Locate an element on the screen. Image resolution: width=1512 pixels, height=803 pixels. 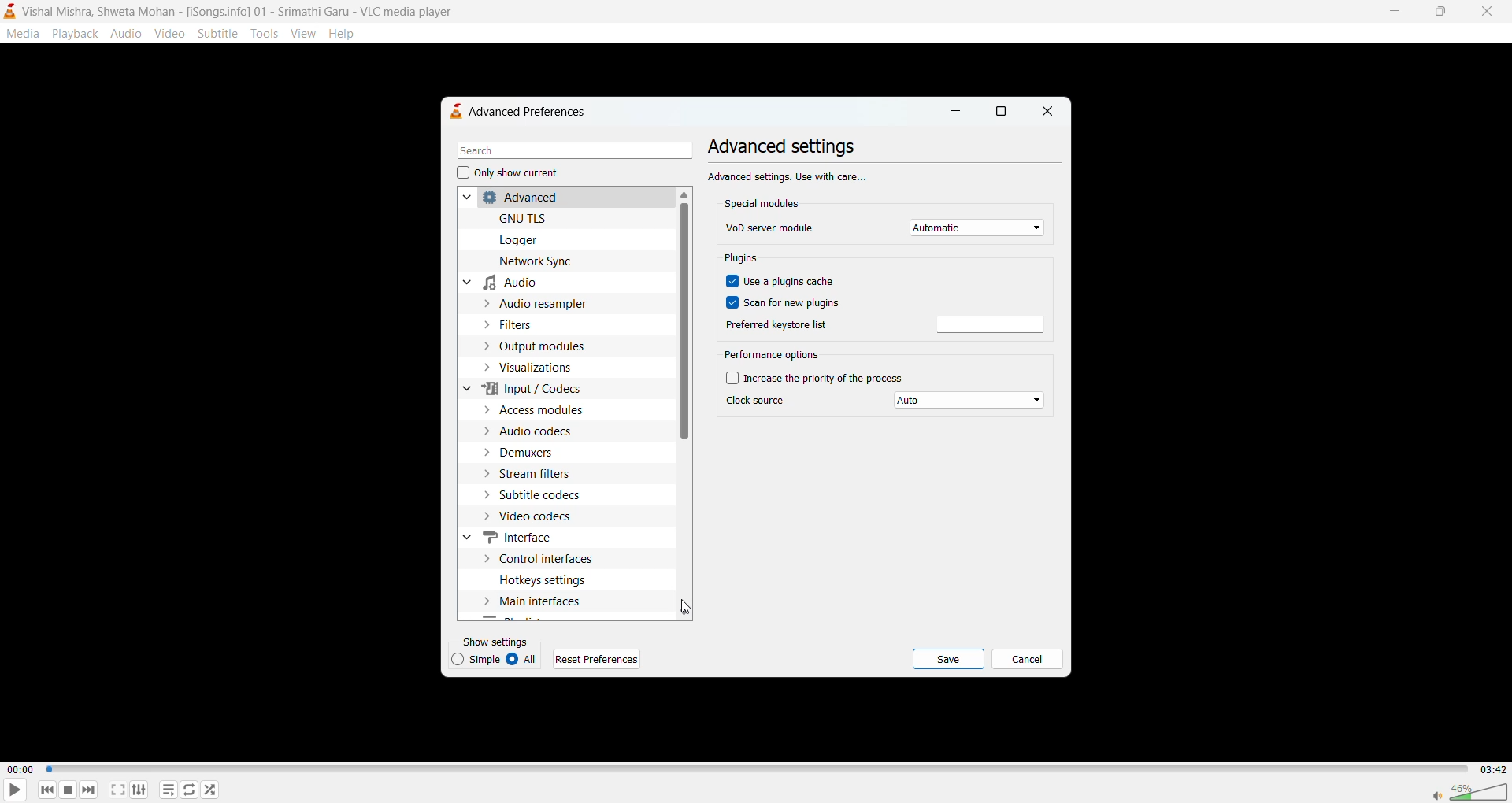
Advanced settings, Use with care... is located at coordinates (789, 176).